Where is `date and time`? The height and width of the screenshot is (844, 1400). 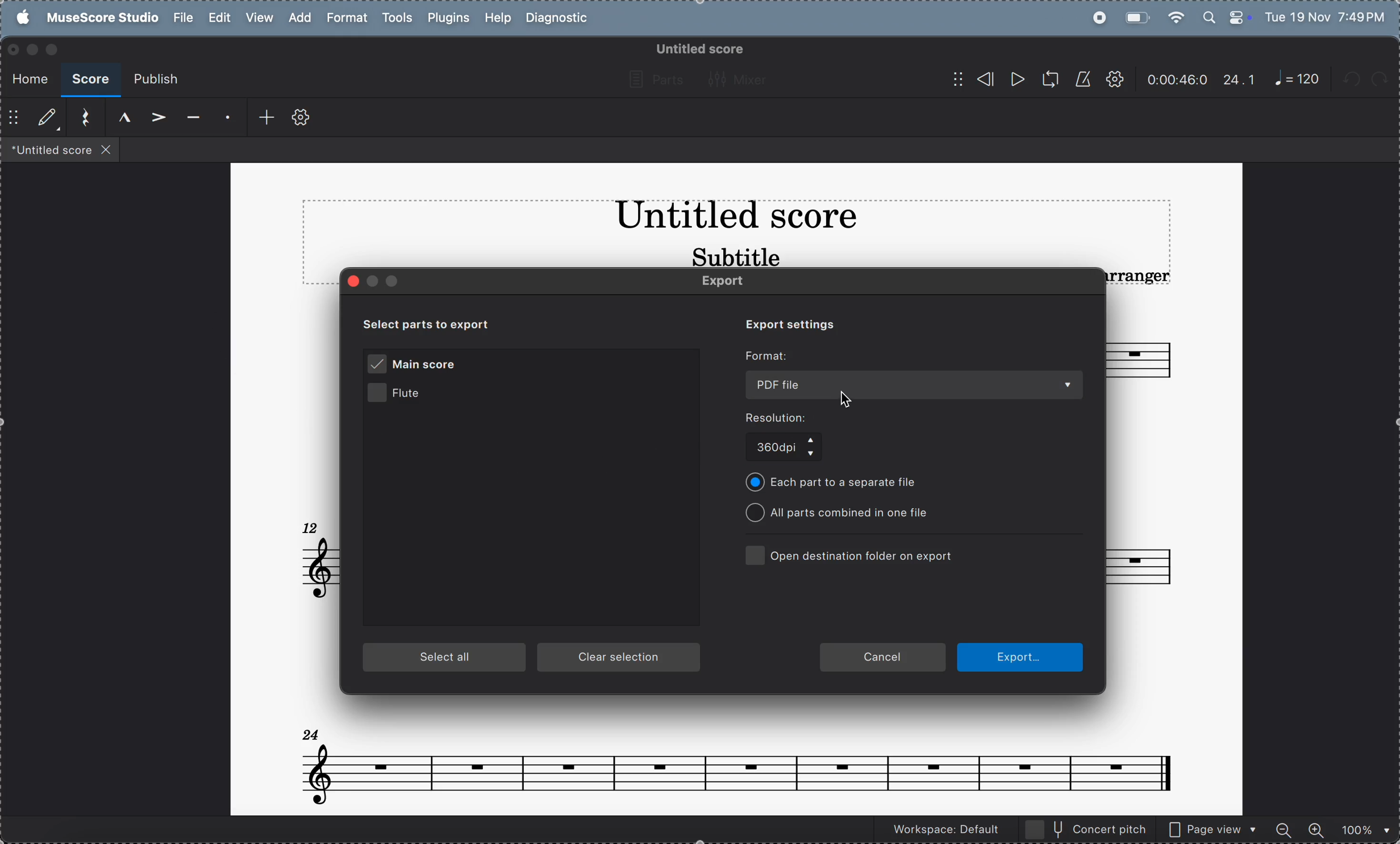 date and time is located at coordinates (1326, 16).